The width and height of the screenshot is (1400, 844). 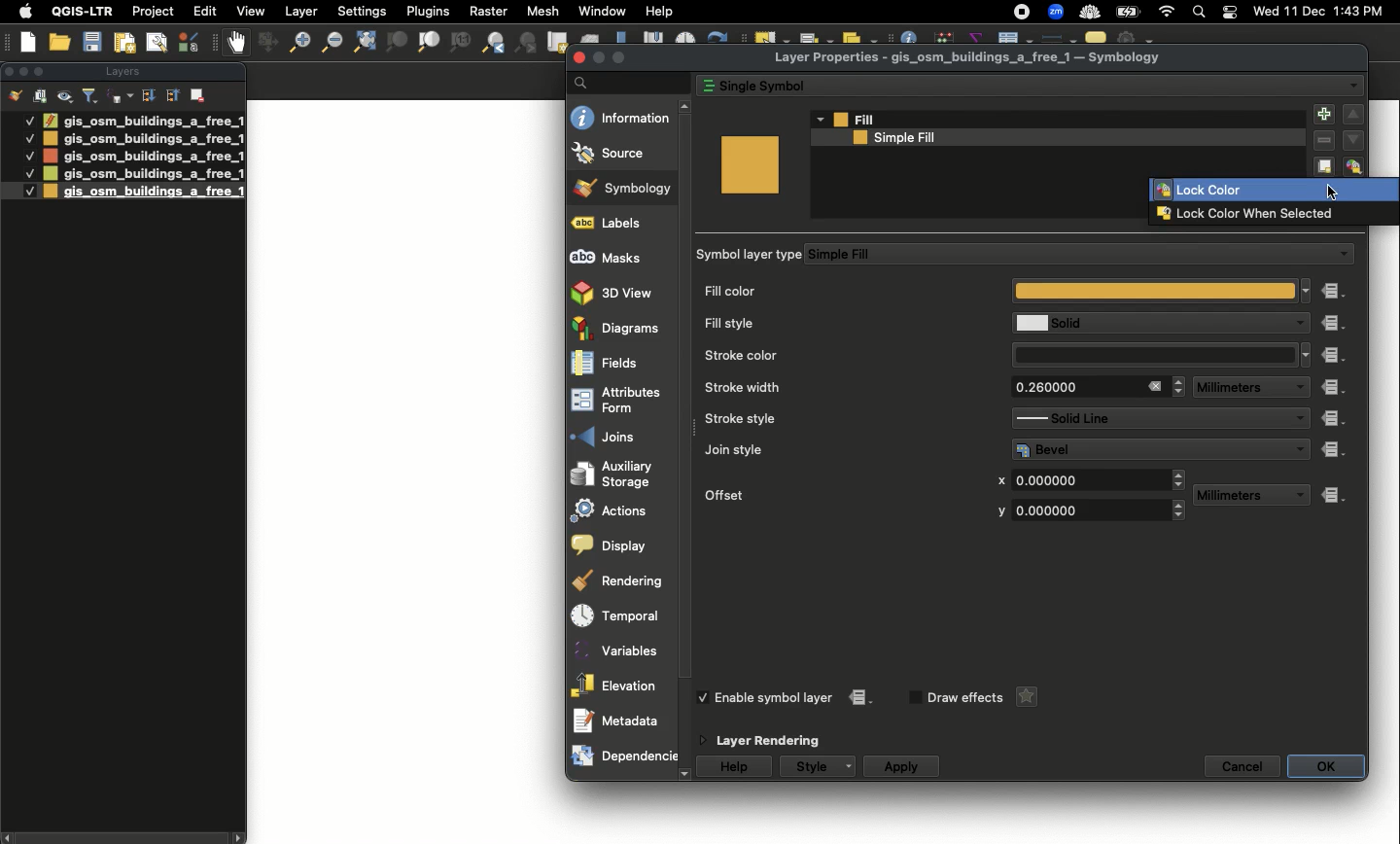 What do you see at coordinates (143, 120) in the screenshot?
I see `gis_osm_buildings_a_free_1` at bounding box center [143, 120].